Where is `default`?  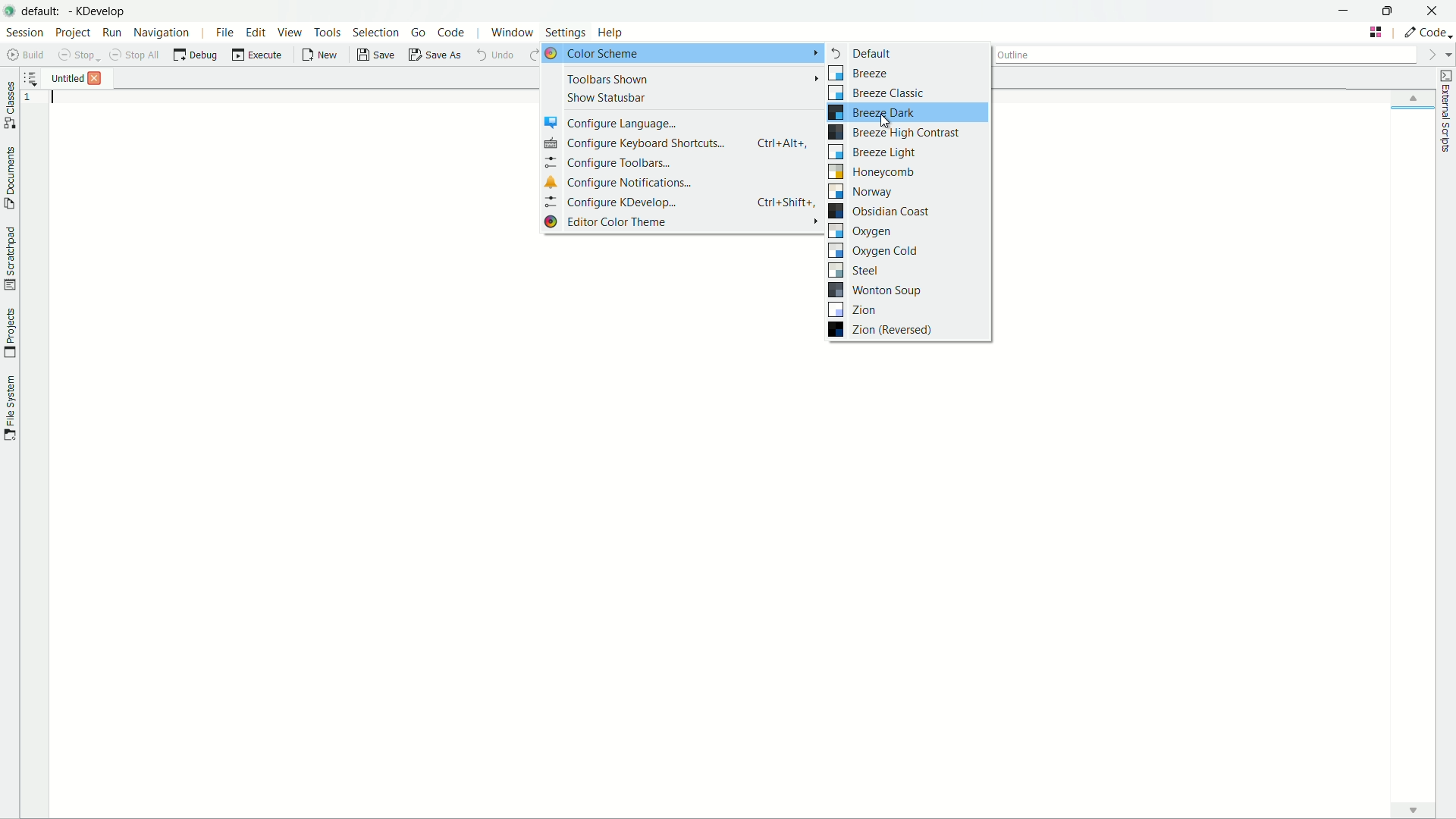
default is located at coordinates (859, 54).